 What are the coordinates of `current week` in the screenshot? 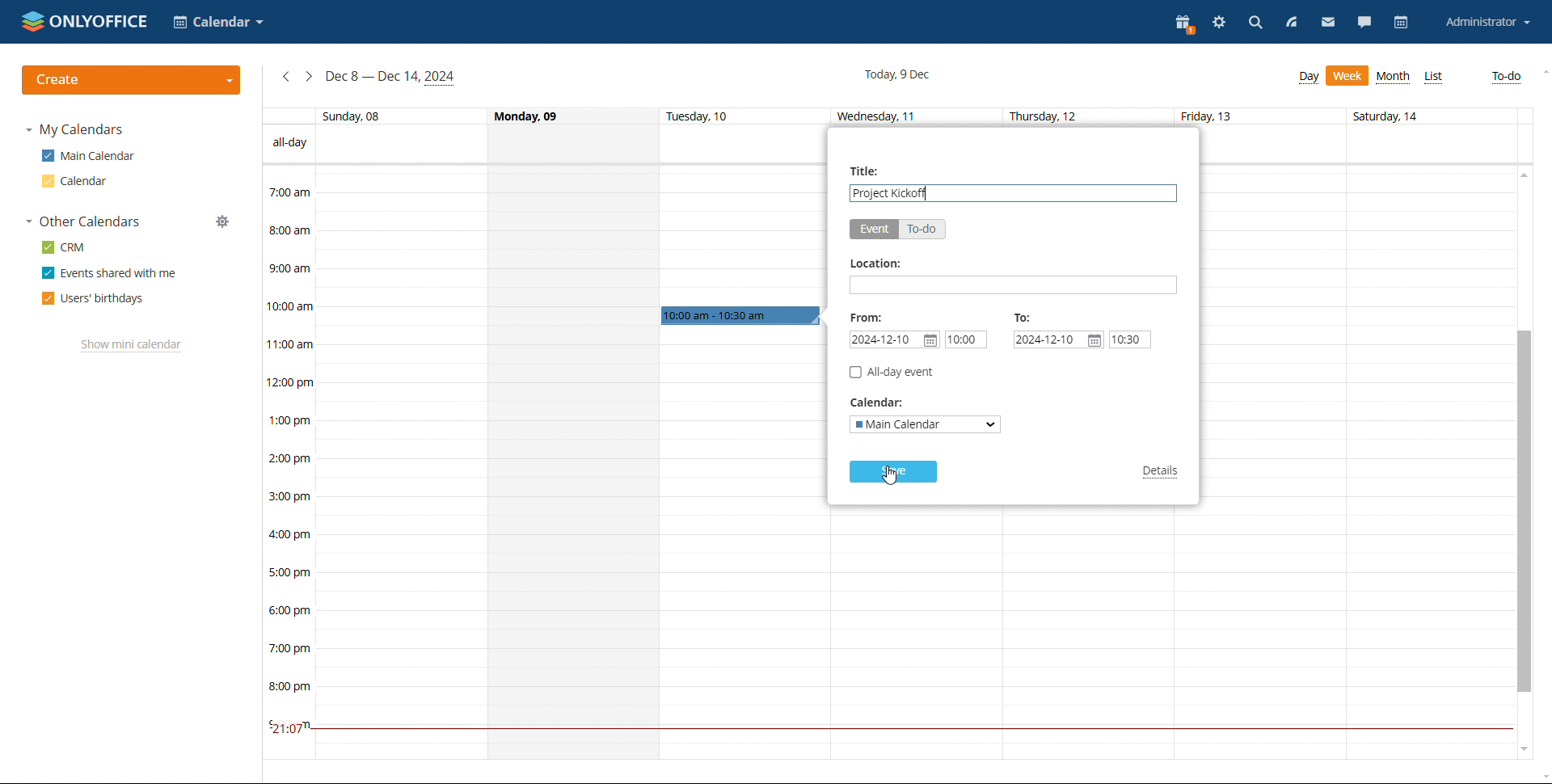 It's located at (391, 77).